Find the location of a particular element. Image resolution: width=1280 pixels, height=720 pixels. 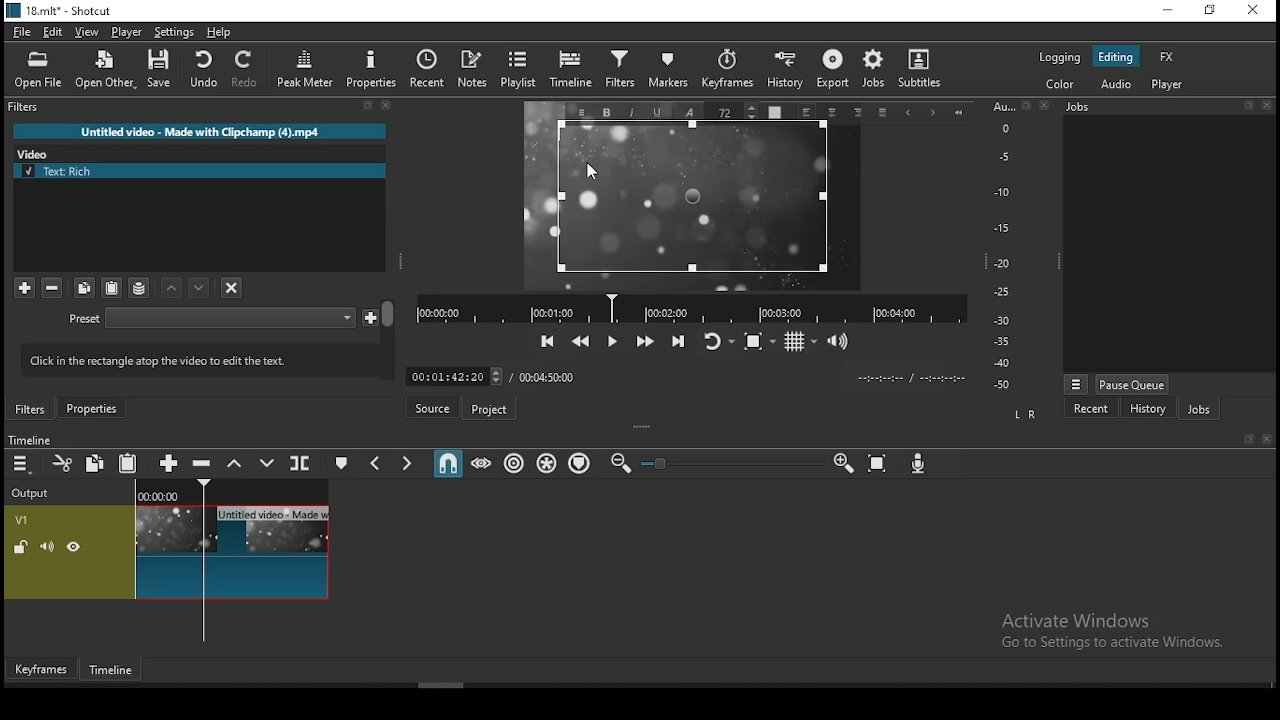

paste is located at coordinates (128, 462).